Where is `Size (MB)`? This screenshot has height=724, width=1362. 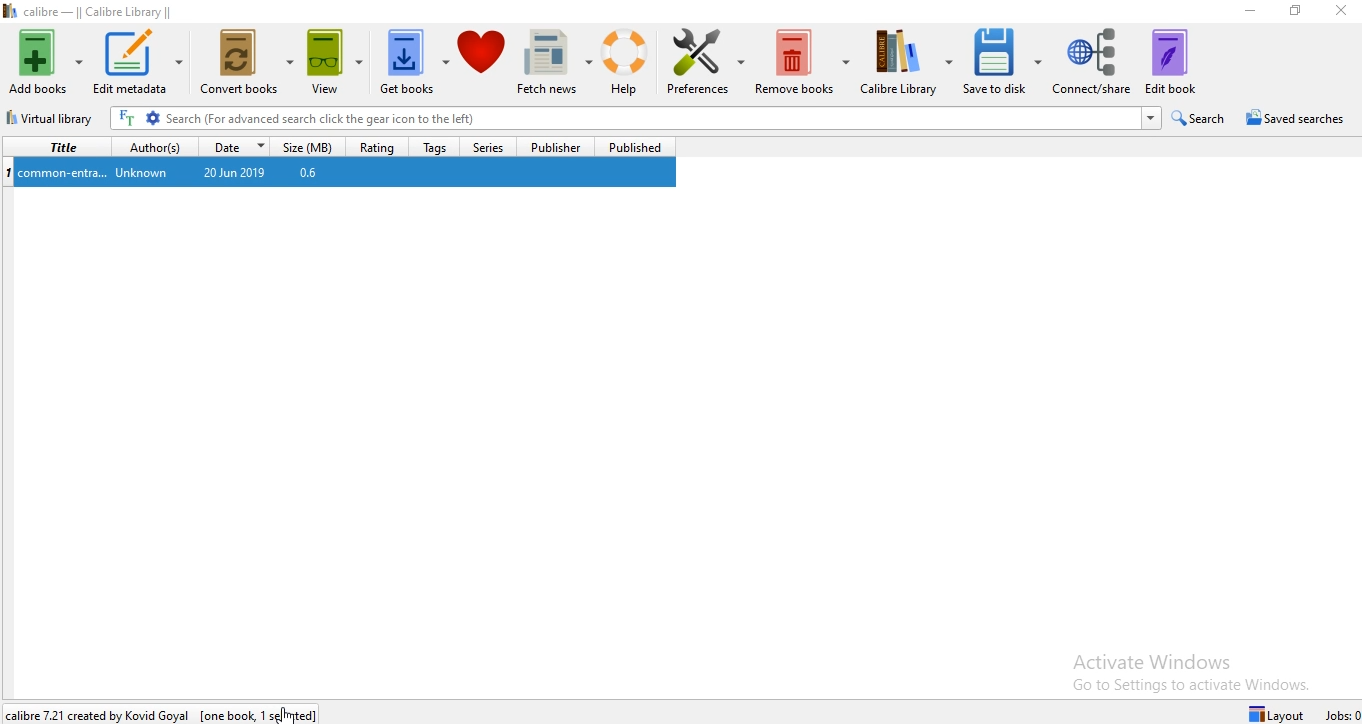 Size (MB) is located at coordinates (310, 148).